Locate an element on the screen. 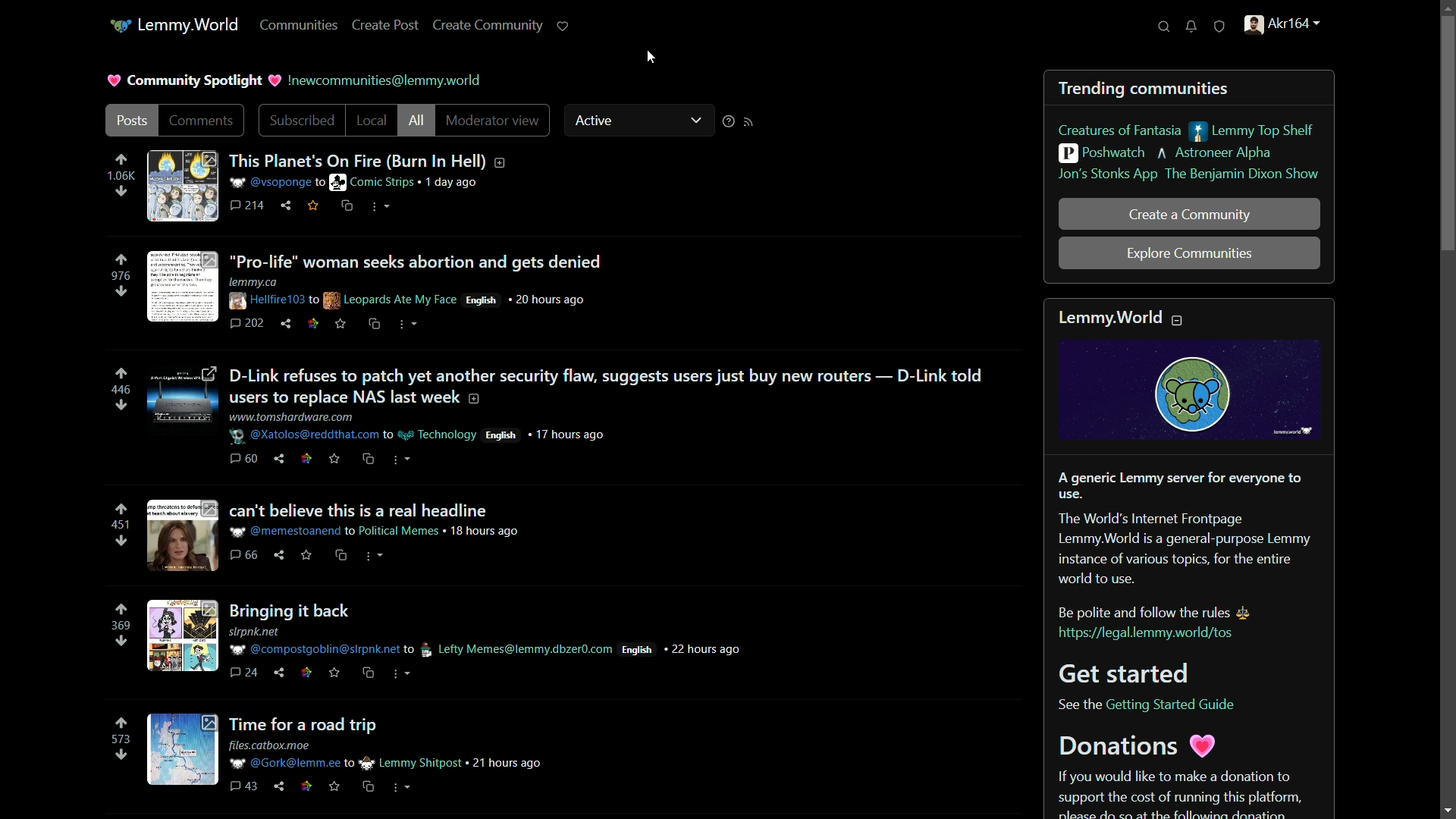  support lemmy.world is located at coordinates (565, 27).